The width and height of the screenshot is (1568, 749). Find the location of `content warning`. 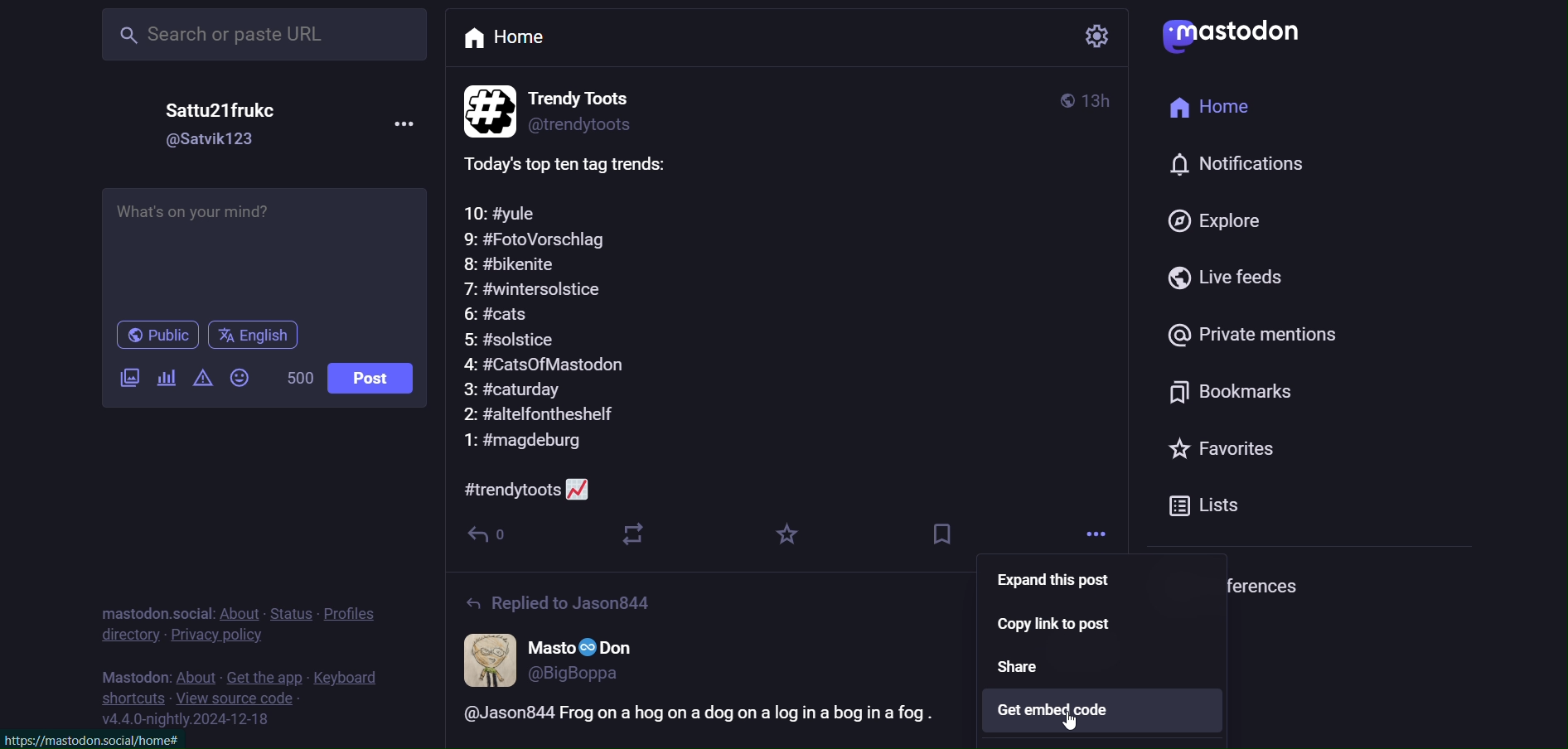

content warning is located at coordinates (203, 379).